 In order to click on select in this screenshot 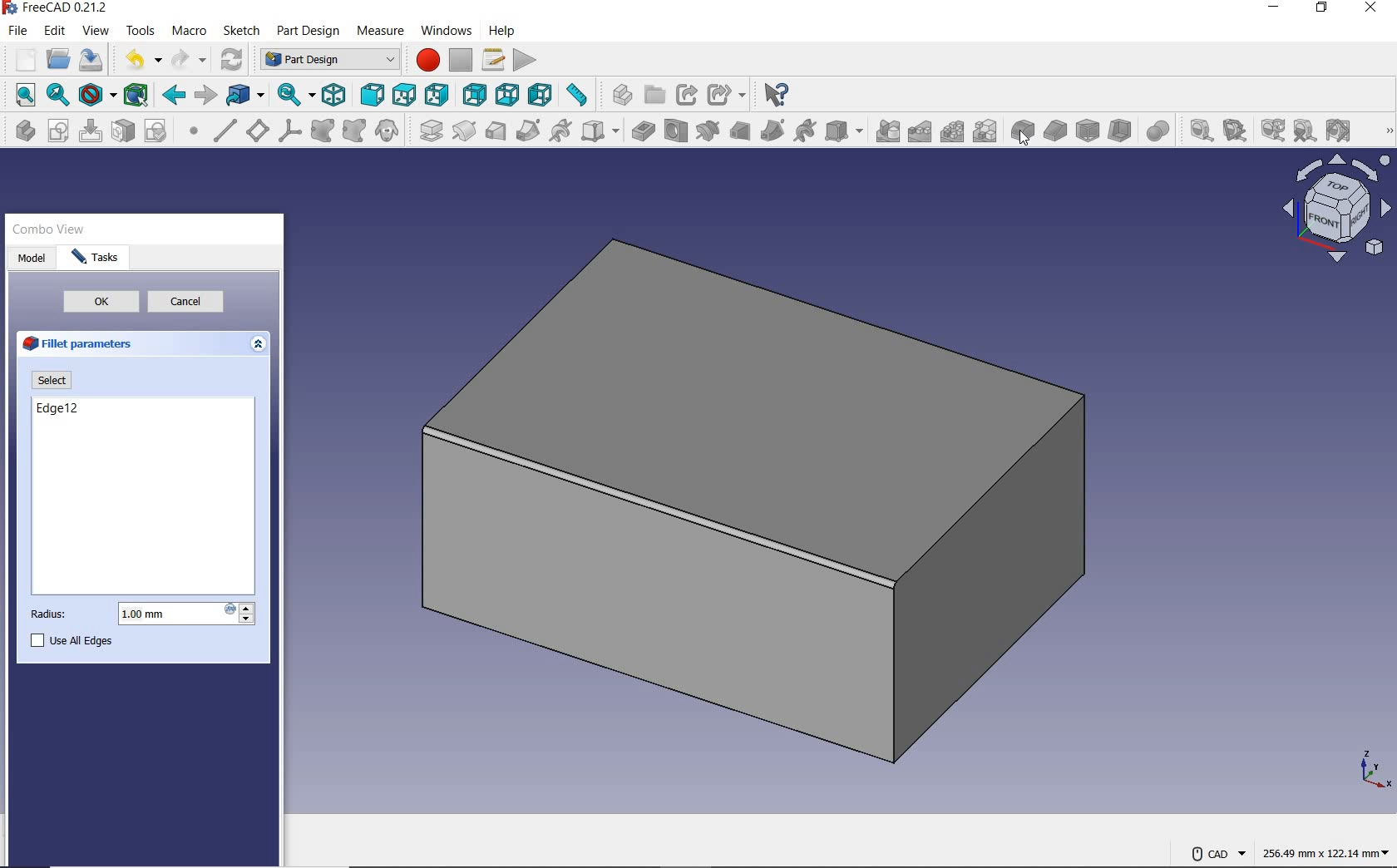, I will do `click(58, 380)`.